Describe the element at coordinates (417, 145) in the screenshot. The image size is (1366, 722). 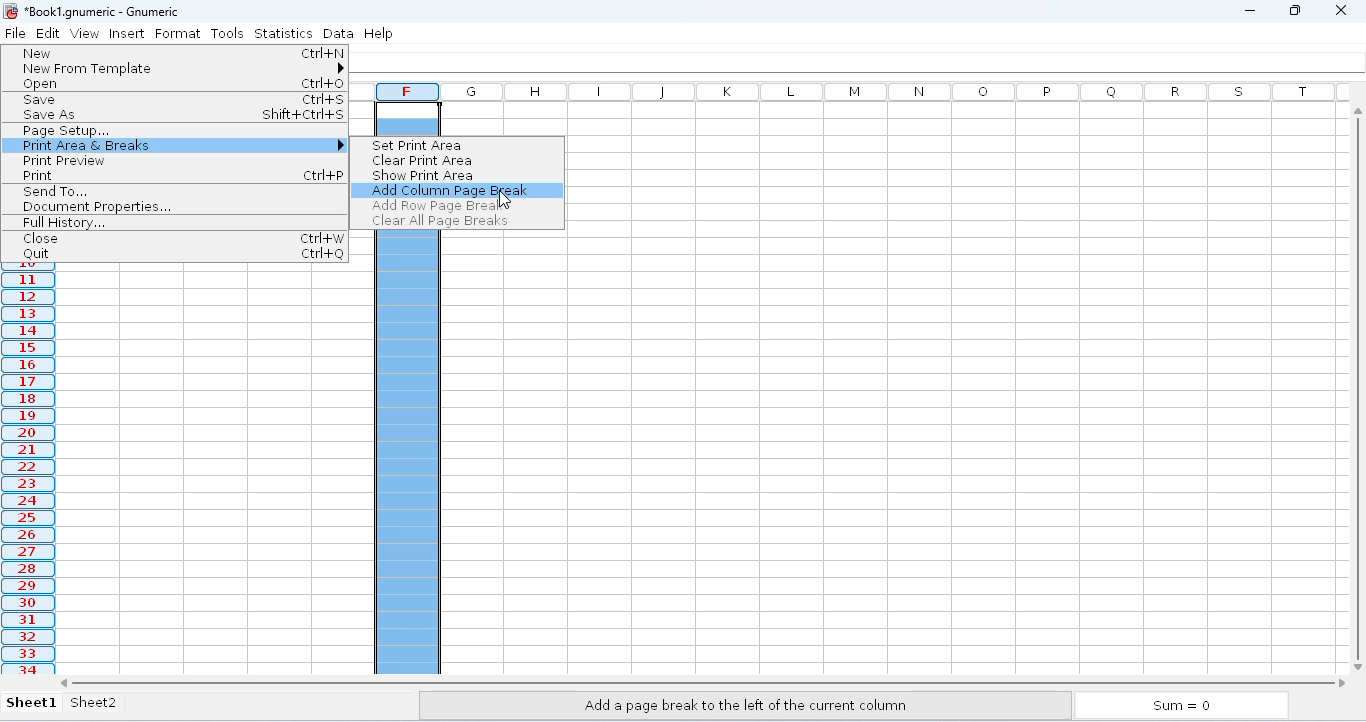
I see `set print area` at that location.